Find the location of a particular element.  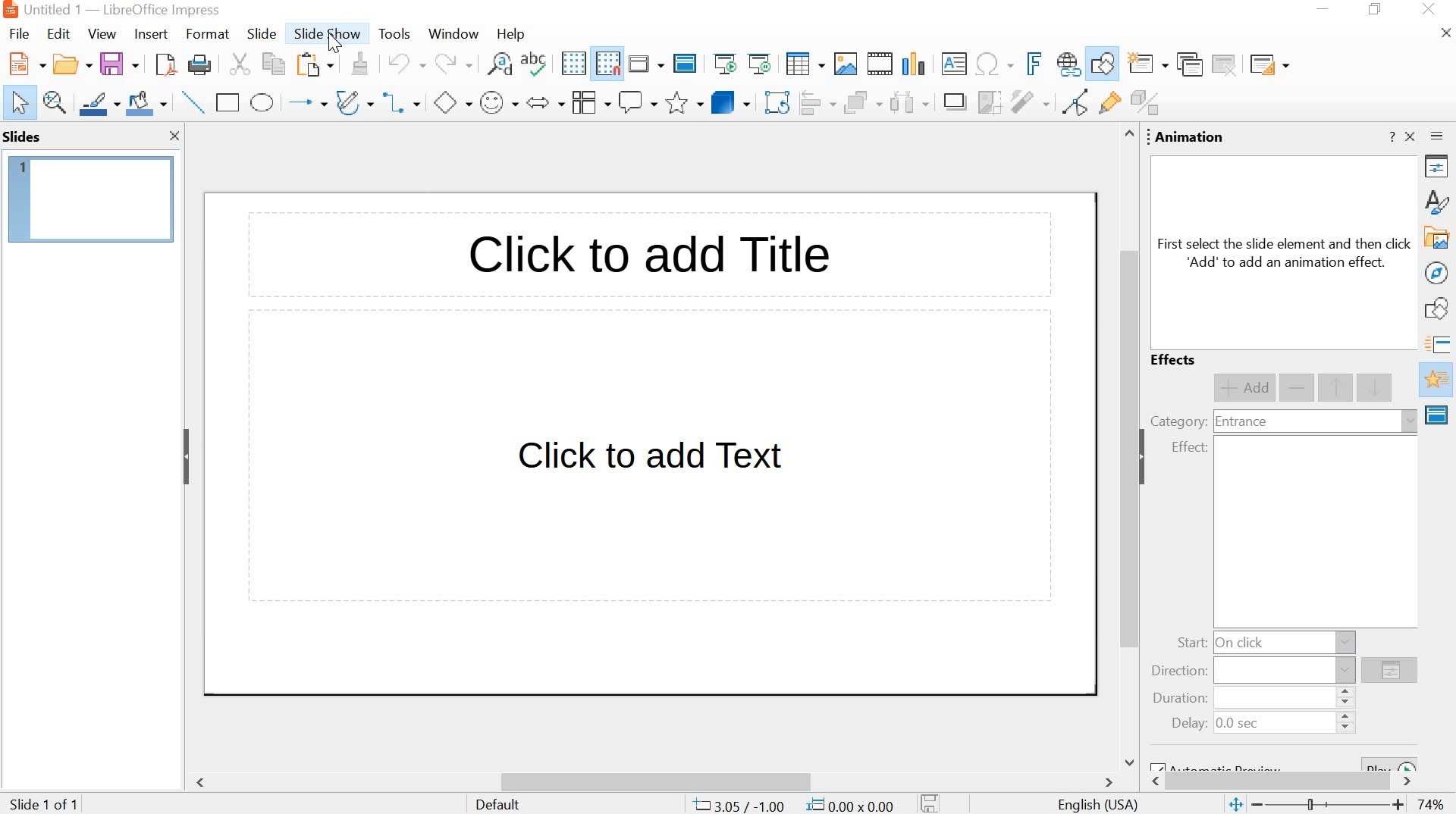

new slide is located at coordinates (1149, 65).